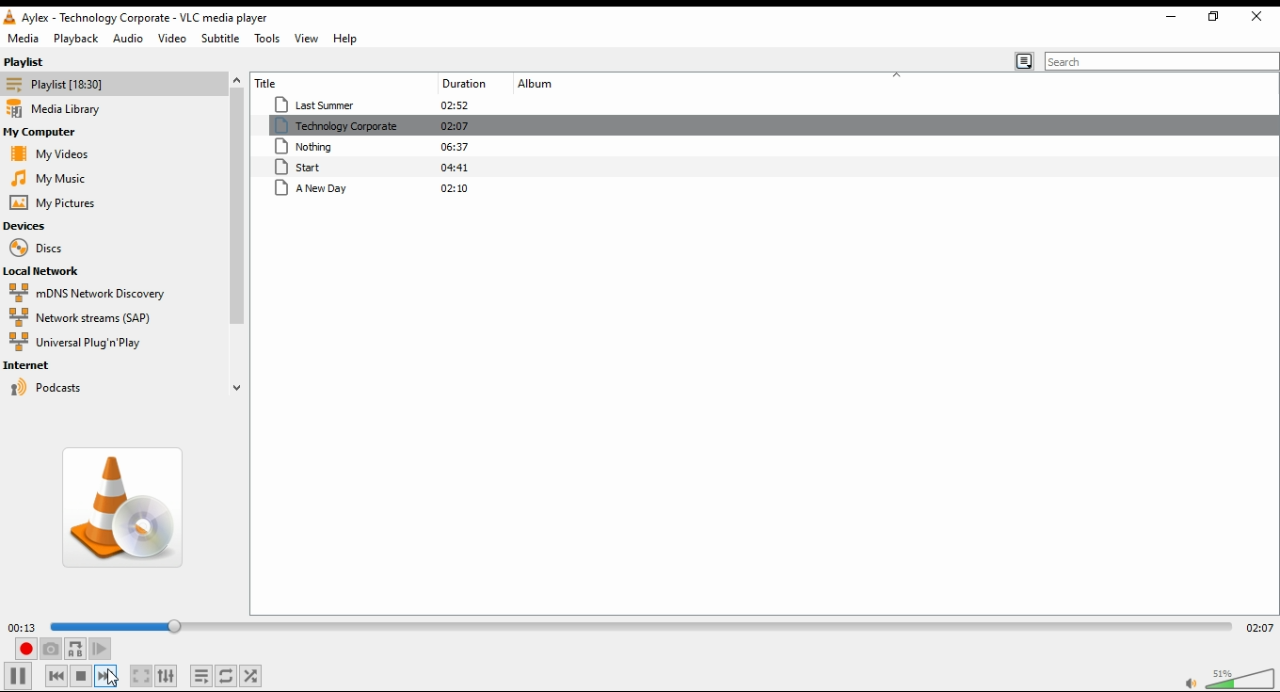 Image resolution: width=1280 pixels, height=692 pixels. Describe the element at coordinates (224, 39) in the screenshot. I see `subtitle` at that location.